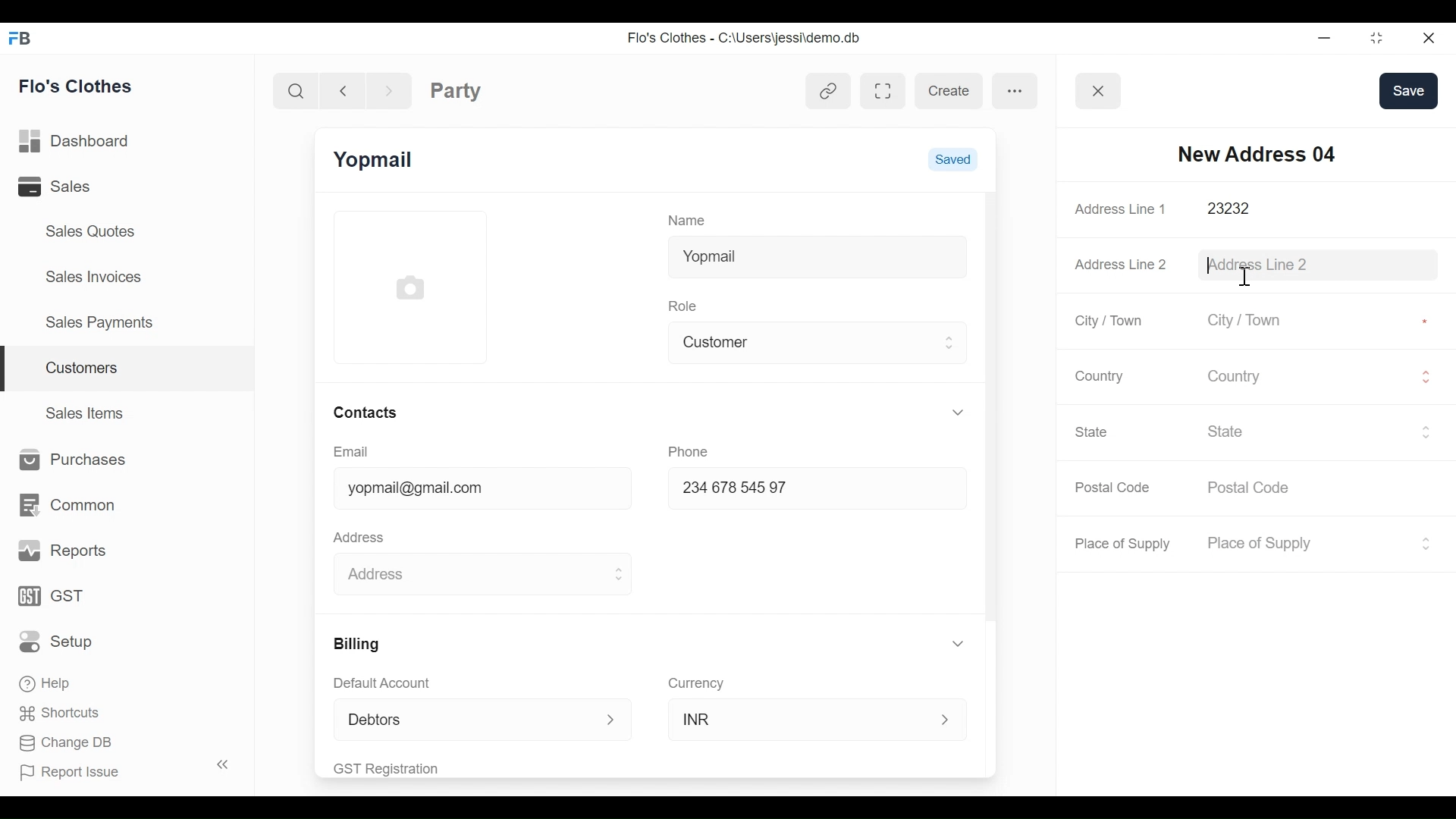 This screenshot has width=1456, height=819. I want to click on Help, so click(47, 681).